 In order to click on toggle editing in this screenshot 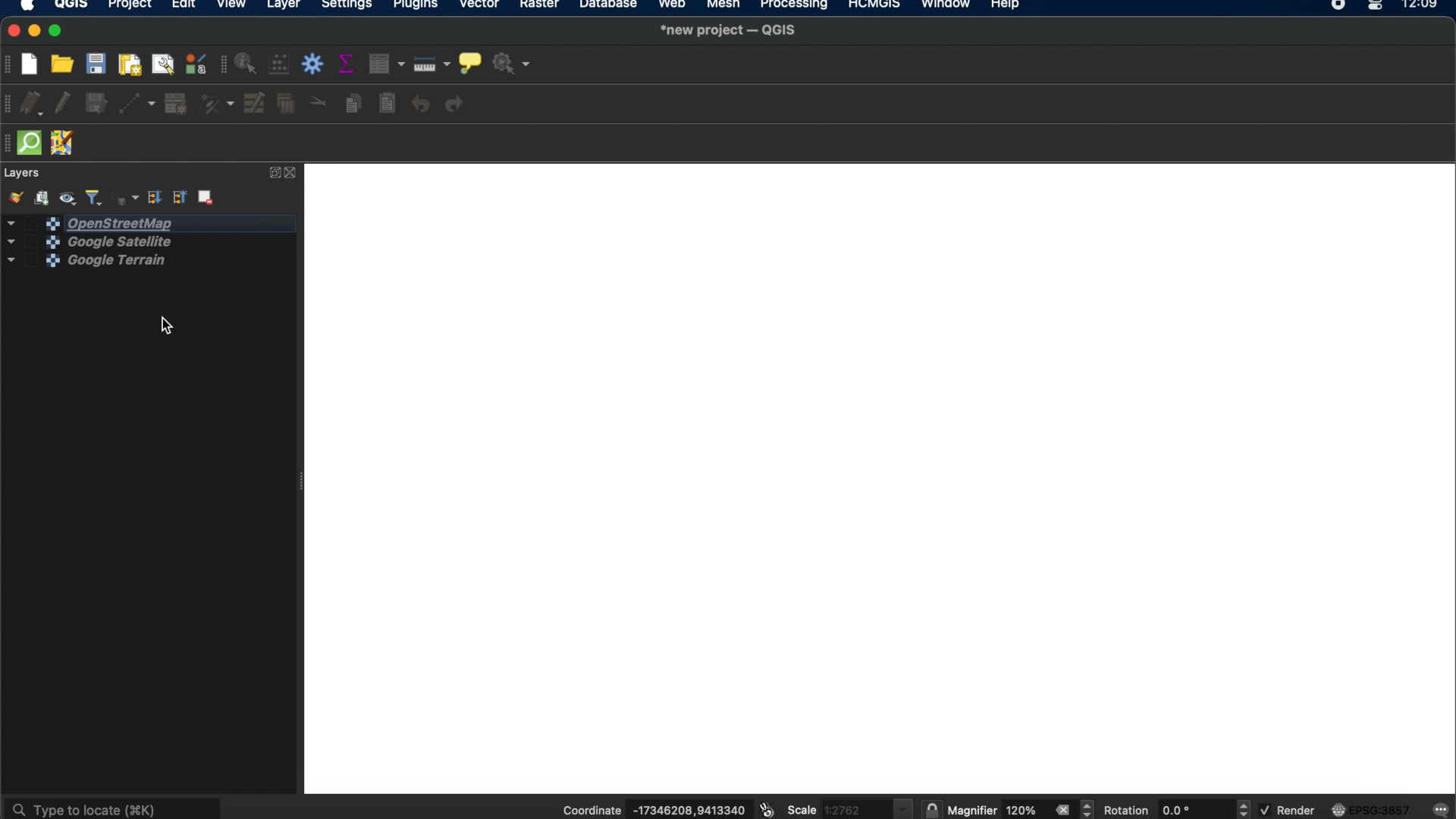, I will do `click(63, 105)`.